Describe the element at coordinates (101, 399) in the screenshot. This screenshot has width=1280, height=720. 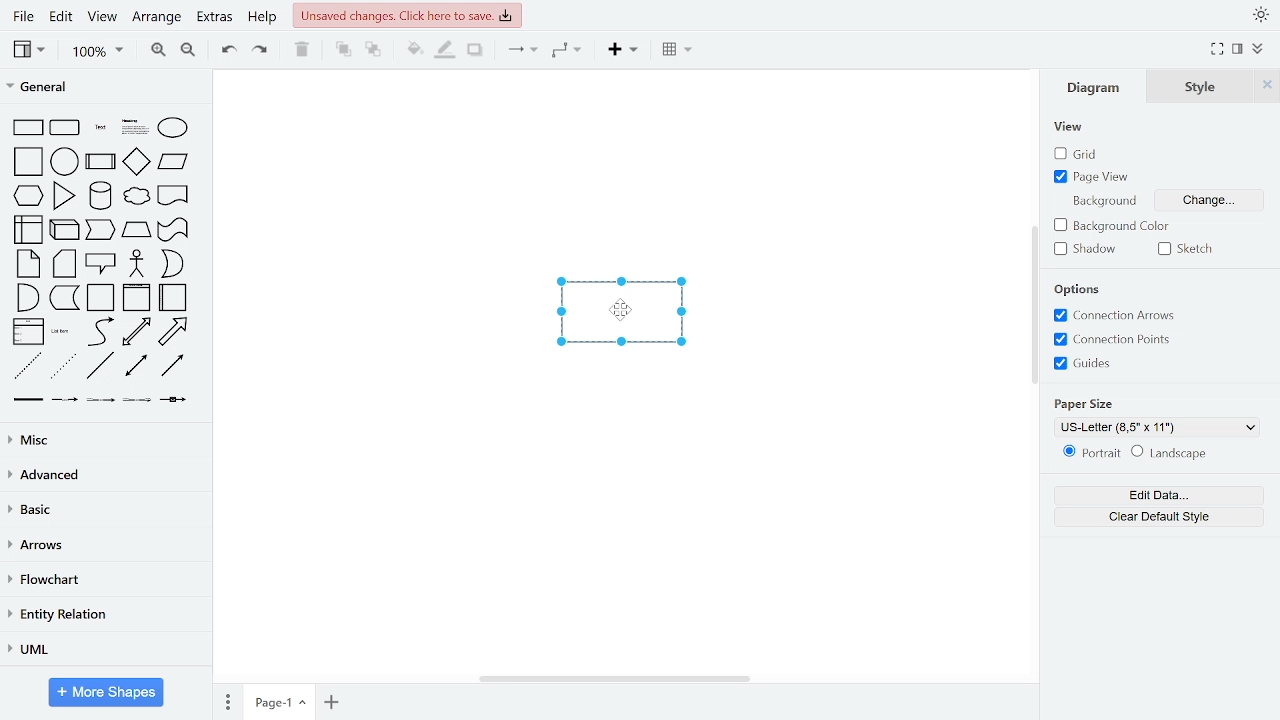
I see `general shapes` at that location.